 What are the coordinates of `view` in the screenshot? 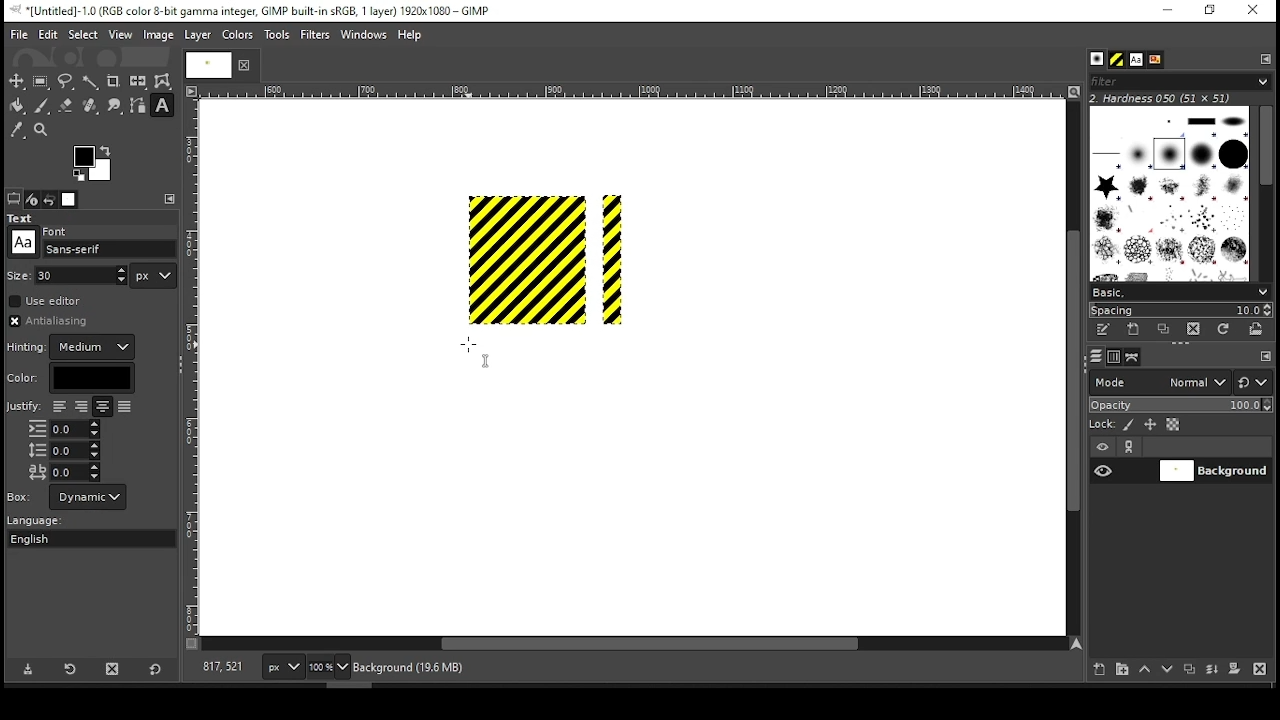 It's located at (121, 36).